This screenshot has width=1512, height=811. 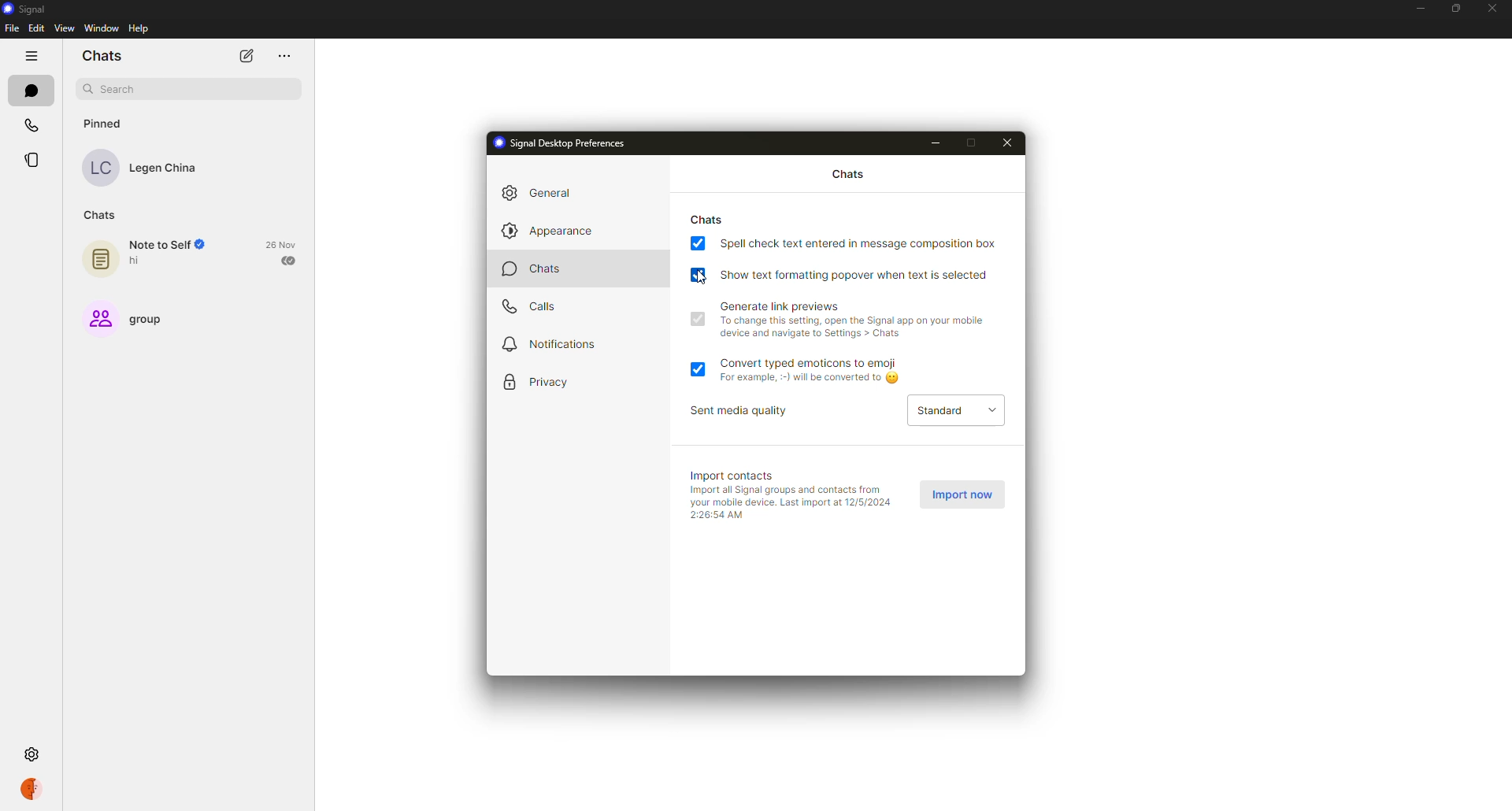 What do you see at coordinates (554, 345) in the screenshot?
I see `notifications` at bounding box center [554, 345].